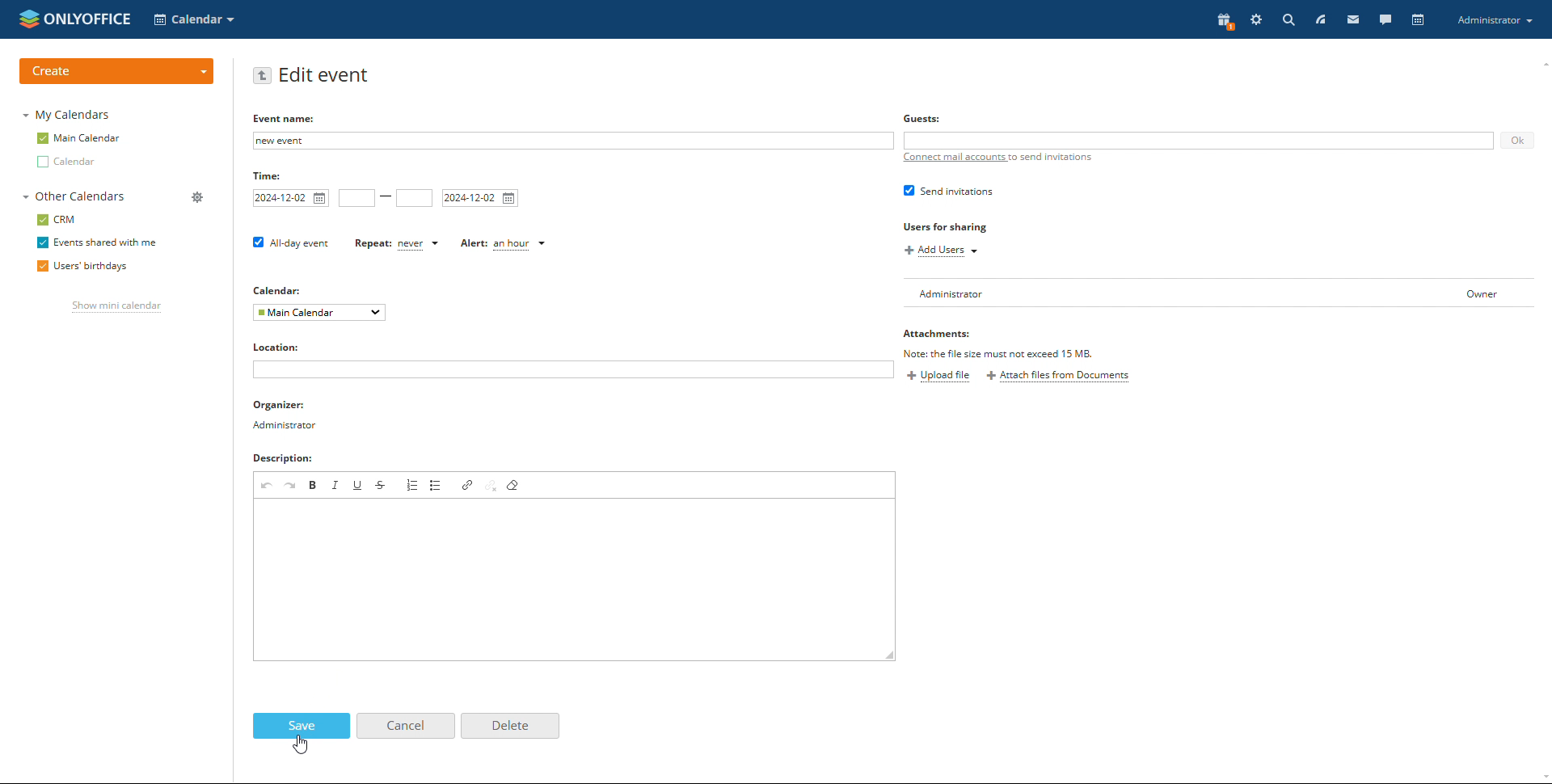  What do you see at coordinates (415, 197) in the screenshot?
I see `end time` at bounding box center [415, 197].